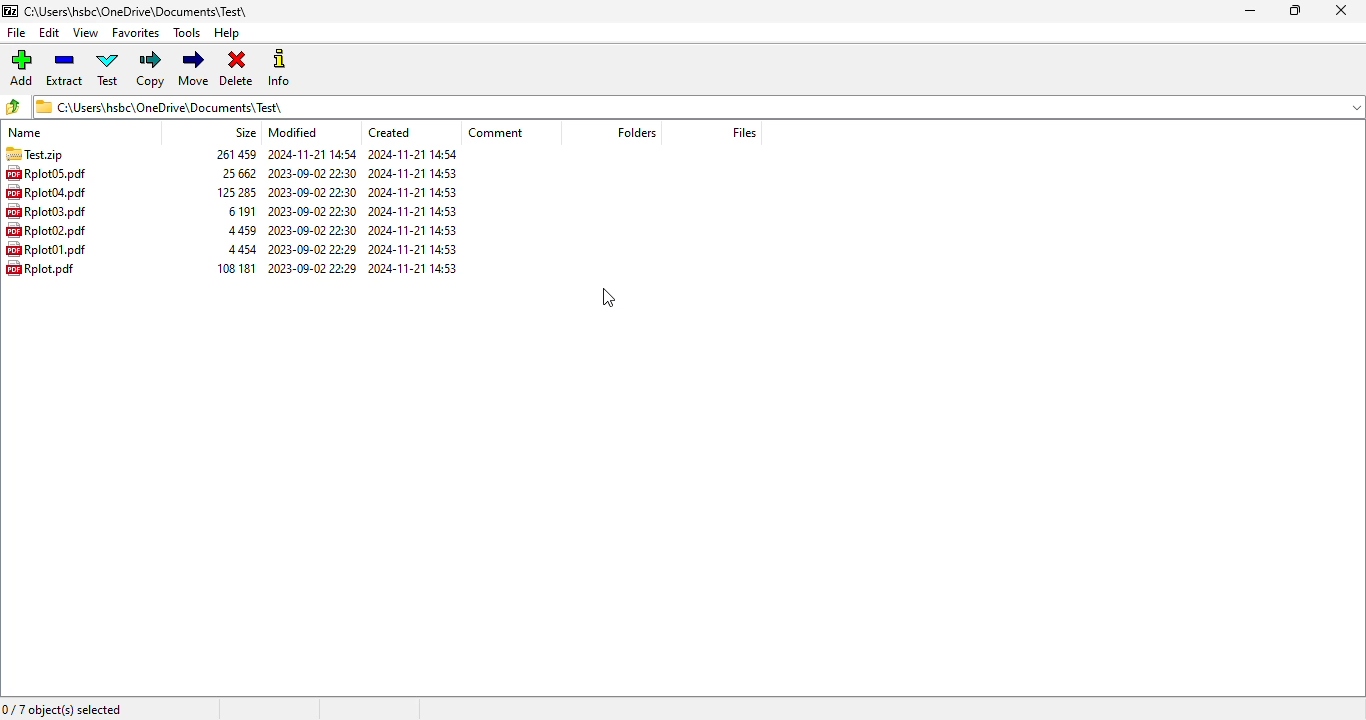 Image resolution: width=1366 pixels, height=720 pixels. Describe the element at coordinates (239, 230) in the screenshot. I see `size` at that location.